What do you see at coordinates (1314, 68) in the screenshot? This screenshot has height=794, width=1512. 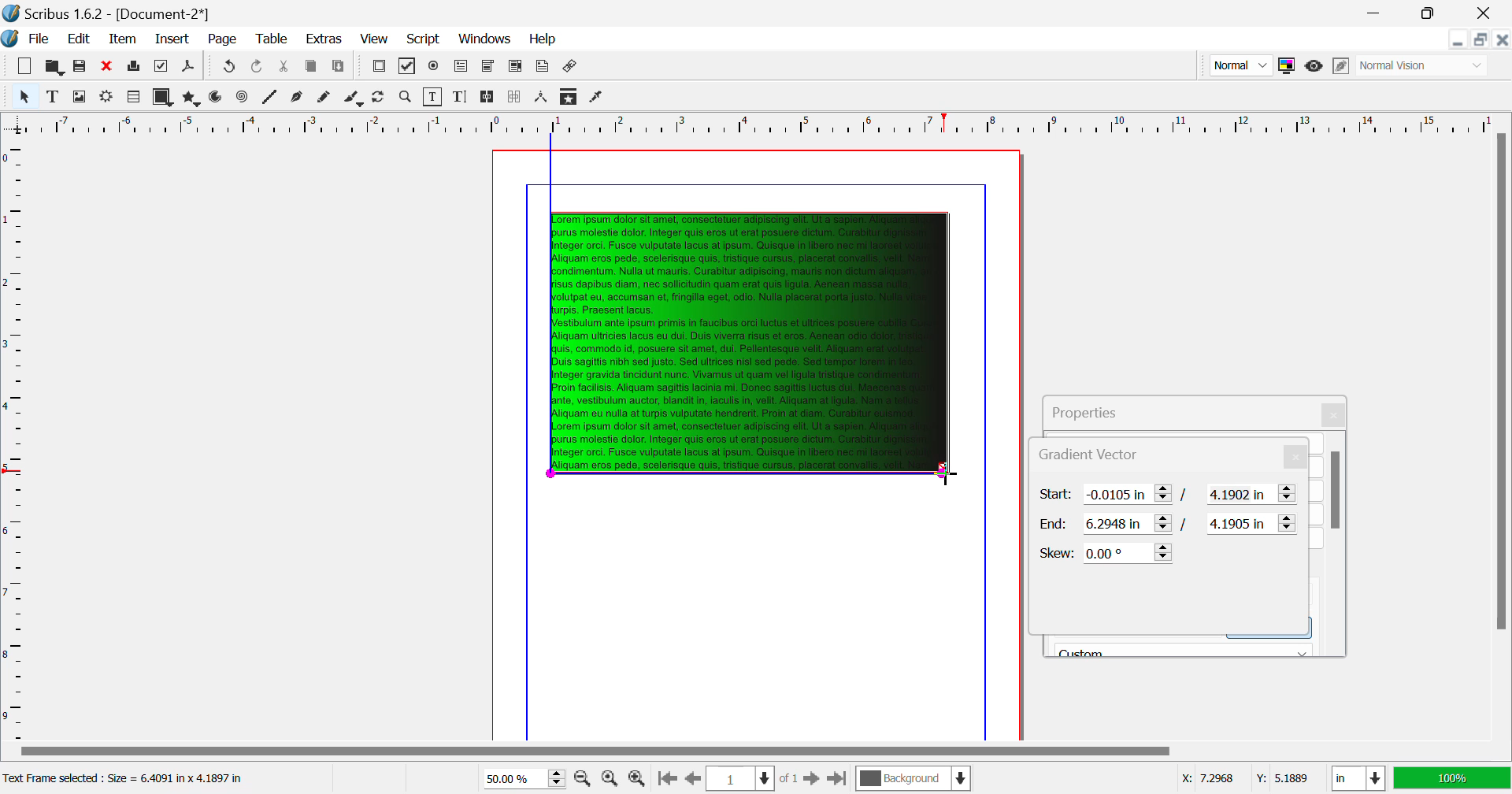 I see `Preview Mode` at bounding box center [1314, 68].